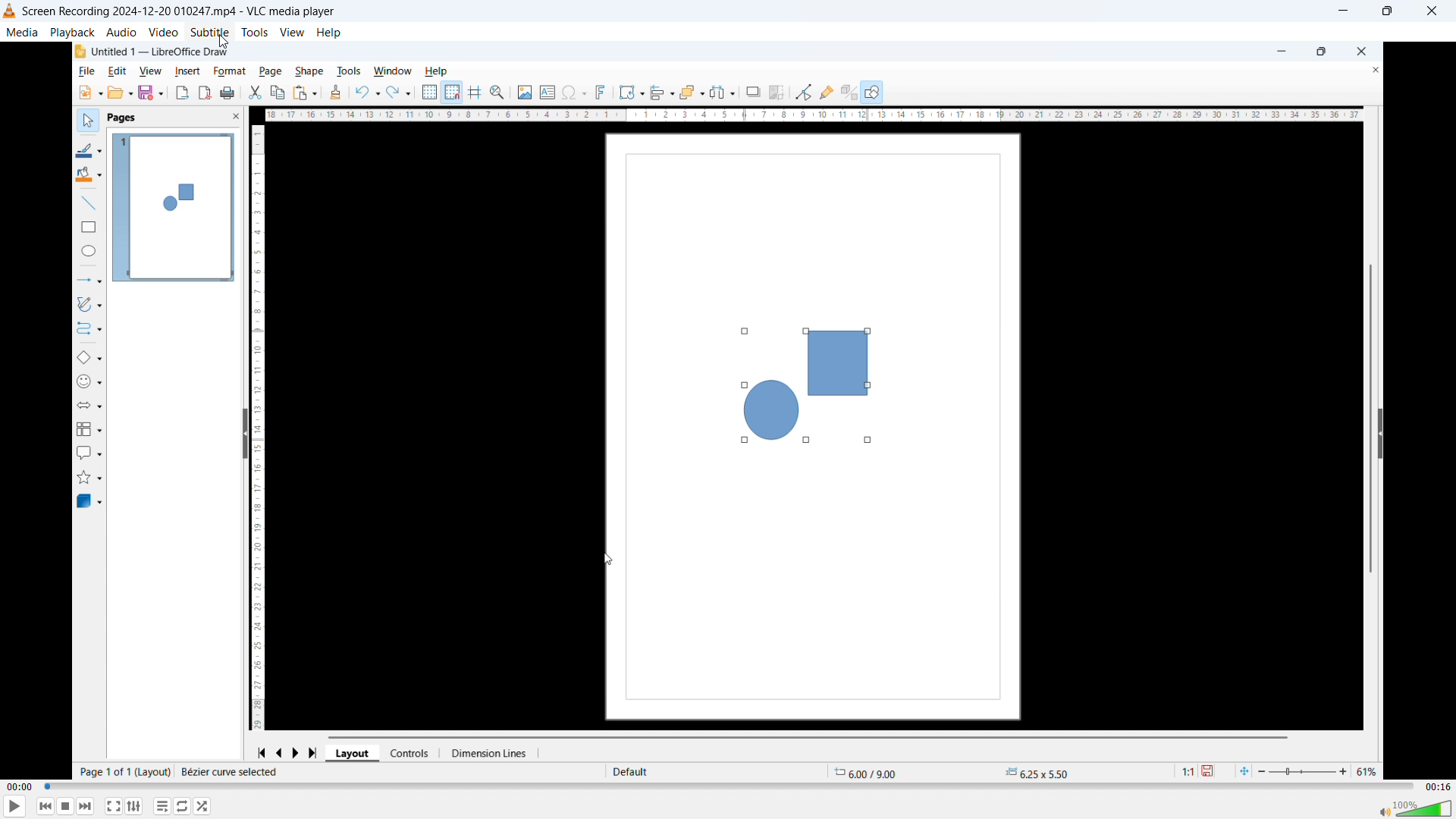 This screenshot has height=819, width=1456. I want to click on crop image, so click(778, 91).